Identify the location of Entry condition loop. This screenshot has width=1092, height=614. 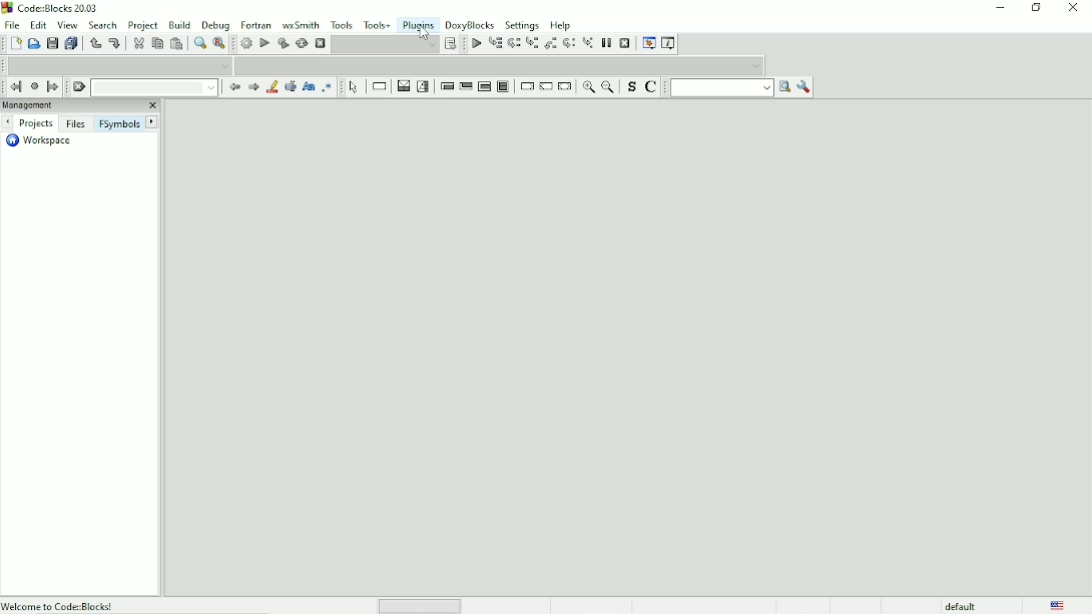
(446, 86).